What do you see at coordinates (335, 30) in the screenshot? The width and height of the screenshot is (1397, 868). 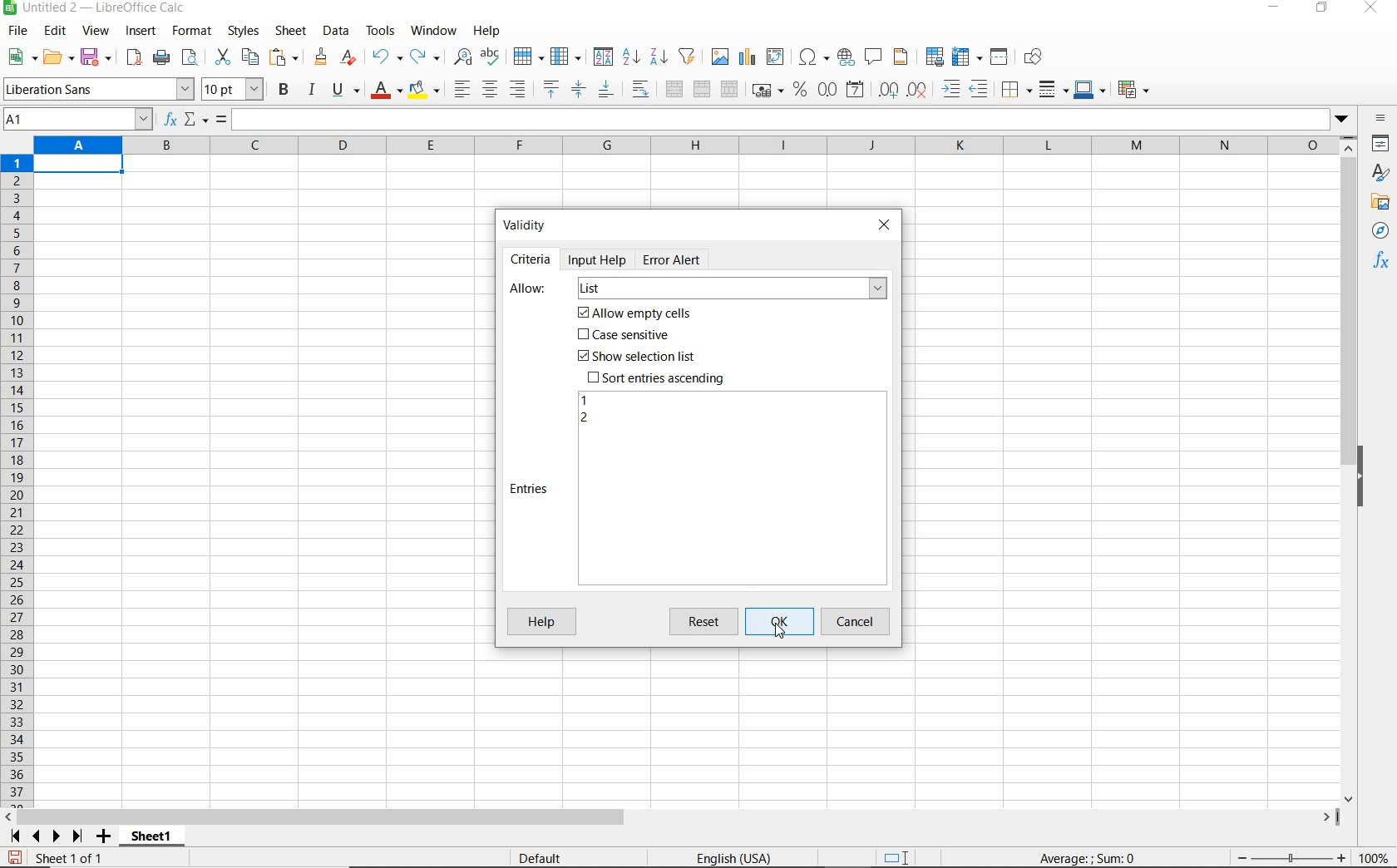 I see `data` at bounding box center [335, 30].